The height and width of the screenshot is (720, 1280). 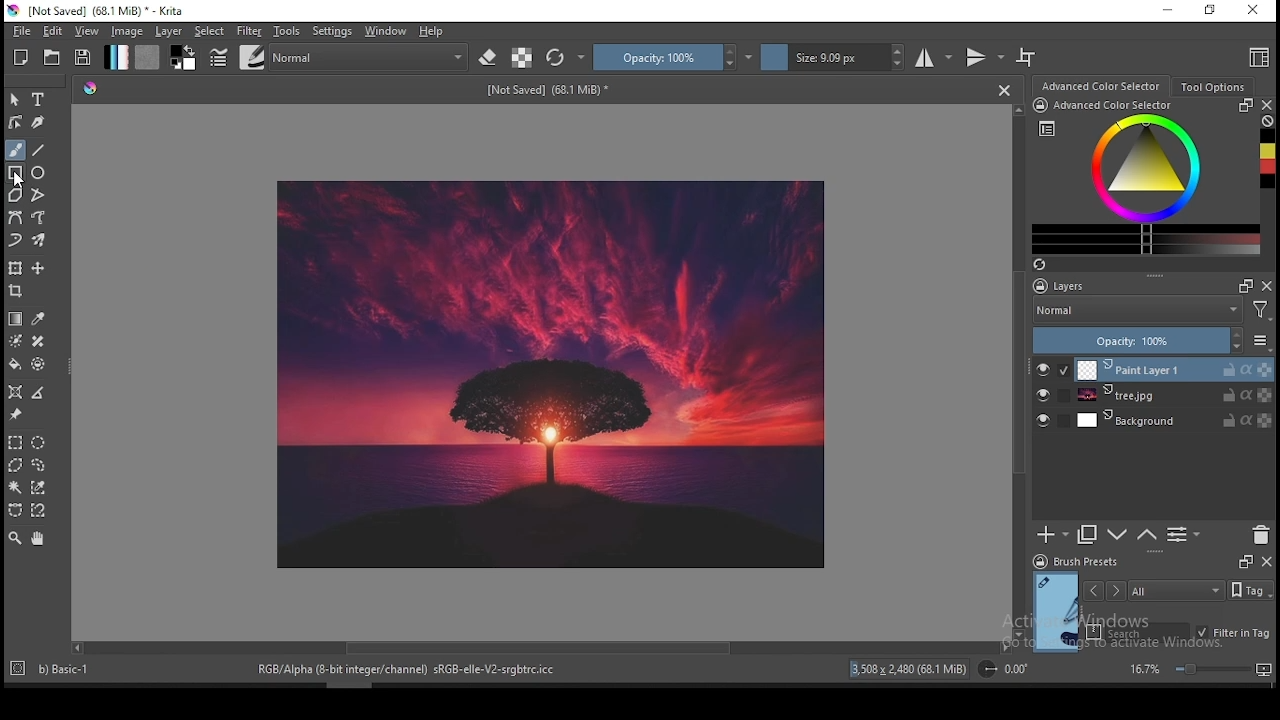 I want to click on freehand path tool, so click(x=38, y=218).